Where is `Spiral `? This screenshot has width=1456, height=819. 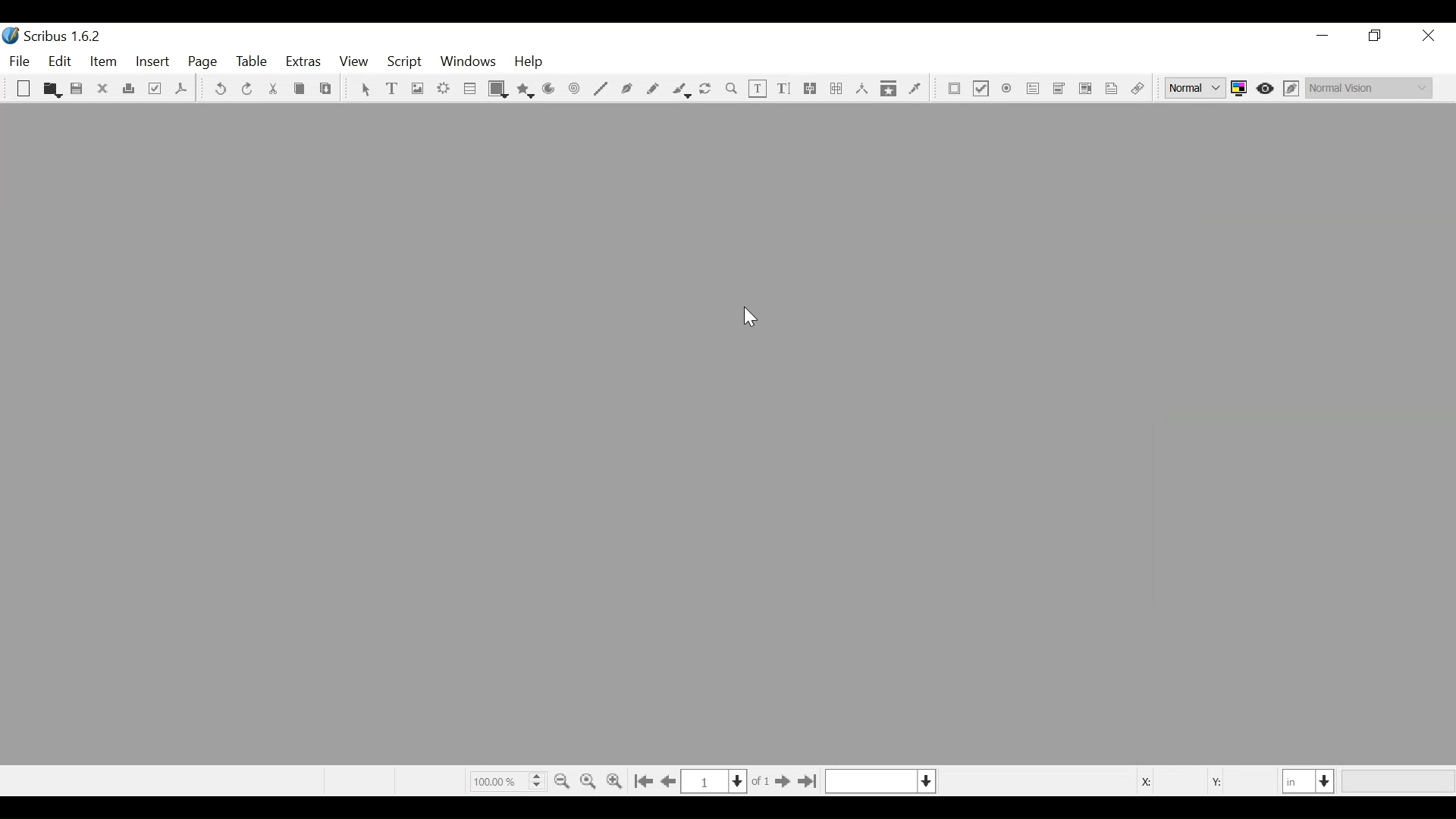 Spiral  is located at coordinates (573, 90).